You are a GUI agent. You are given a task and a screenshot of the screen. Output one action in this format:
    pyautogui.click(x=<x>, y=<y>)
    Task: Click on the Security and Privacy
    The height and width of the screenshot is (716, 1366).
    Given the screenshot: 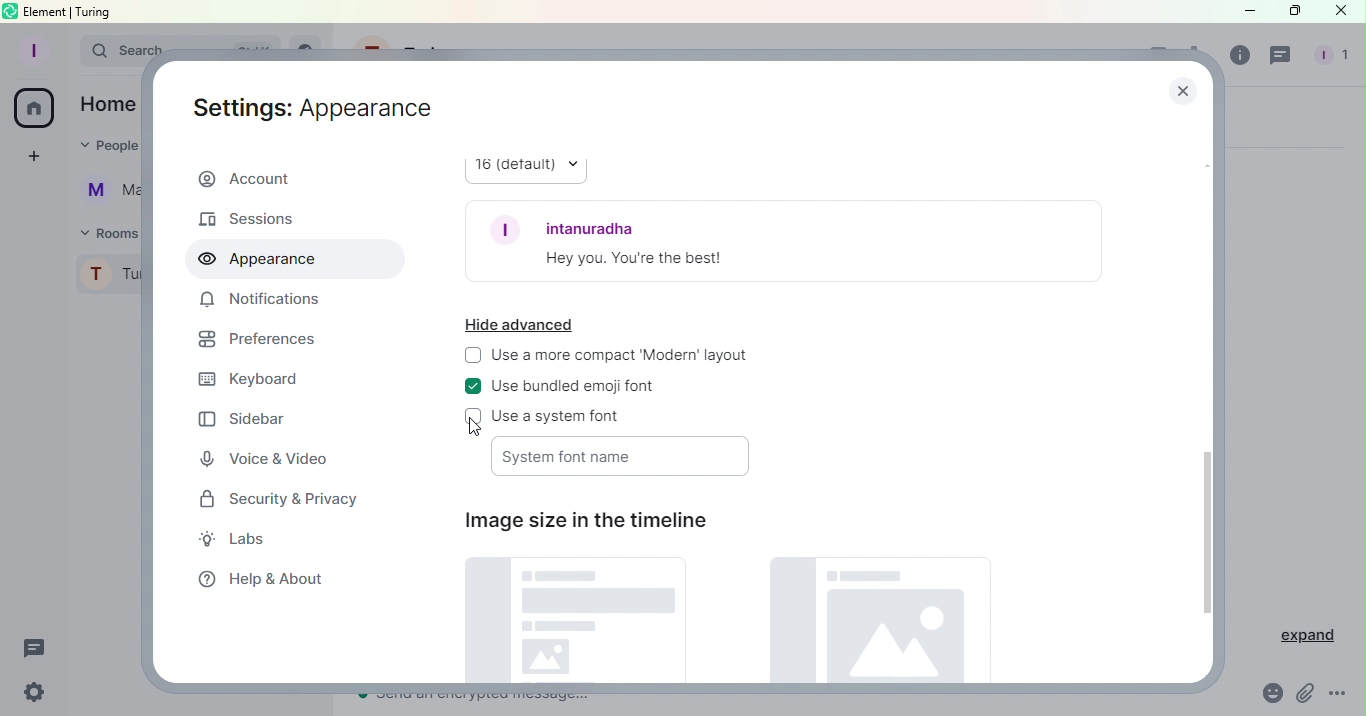 What is the action you would take?
    pyautogui.click(x=279, y=500)
    